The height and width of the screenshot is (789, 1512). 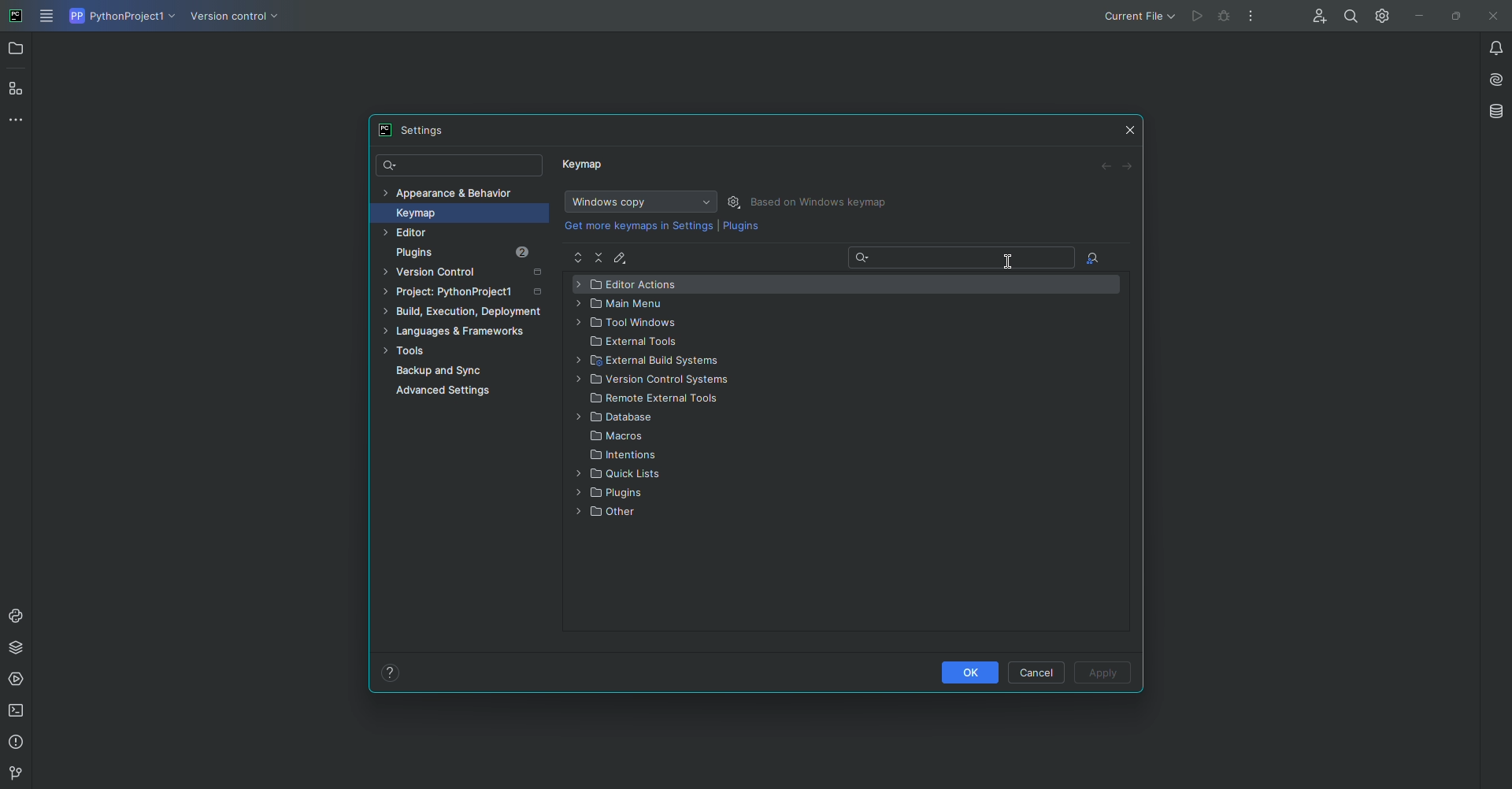 What do you see at coordinates (418, 130) in the screenshot?
I see `Settings` at bounding box center [418, 130].